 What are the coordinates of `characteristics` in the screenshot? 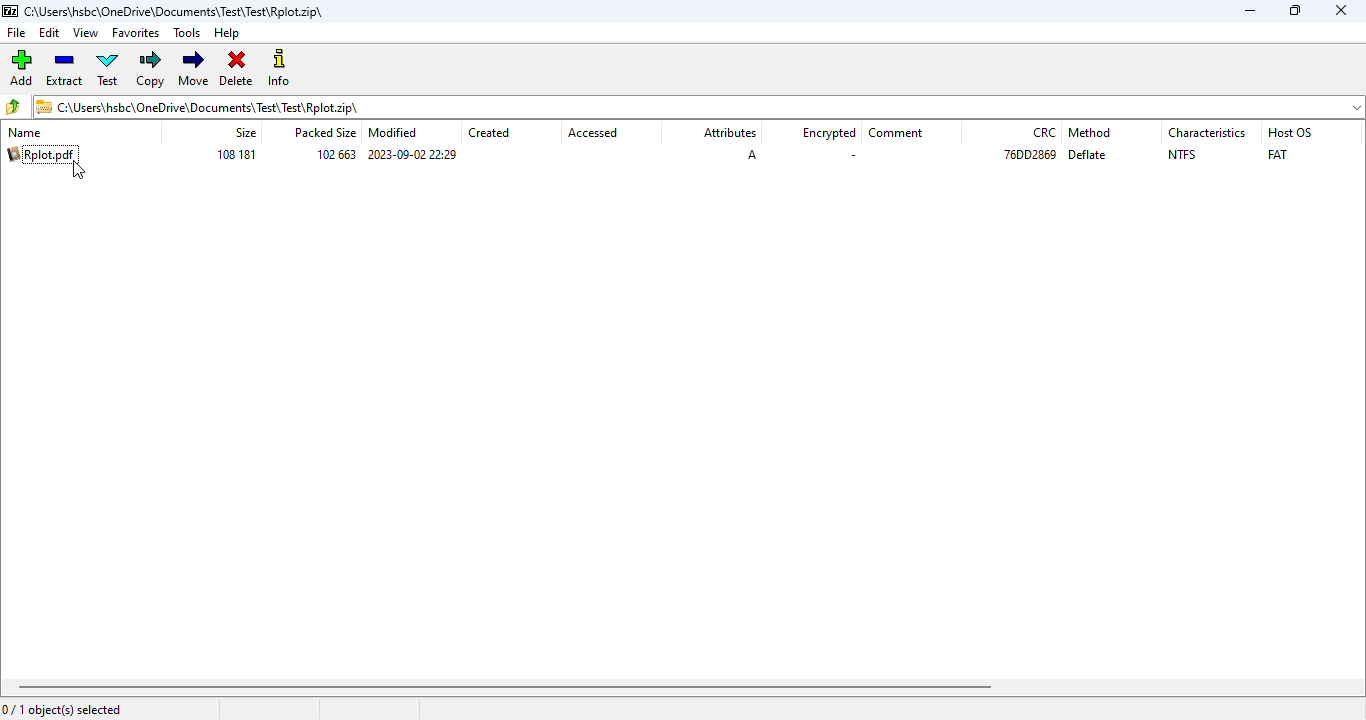 It's located at (1209, 133).